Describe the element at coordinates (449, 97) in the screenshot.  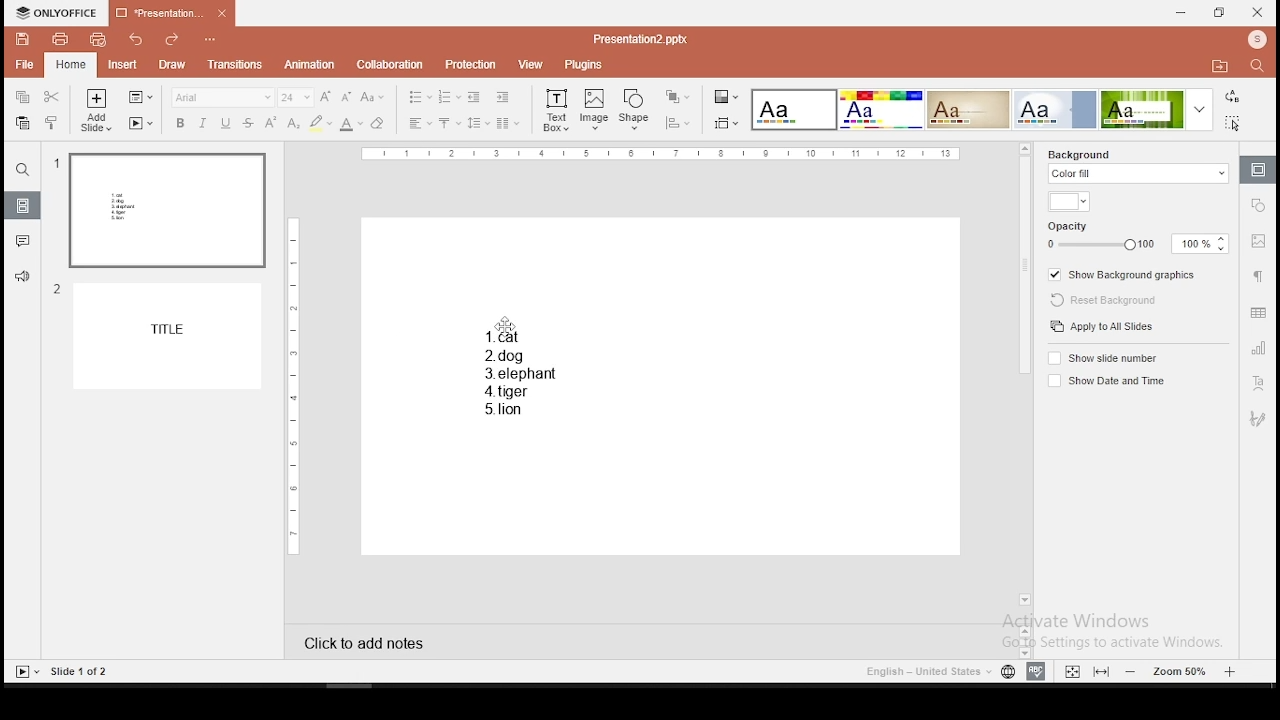
I see `numbering` at that location.